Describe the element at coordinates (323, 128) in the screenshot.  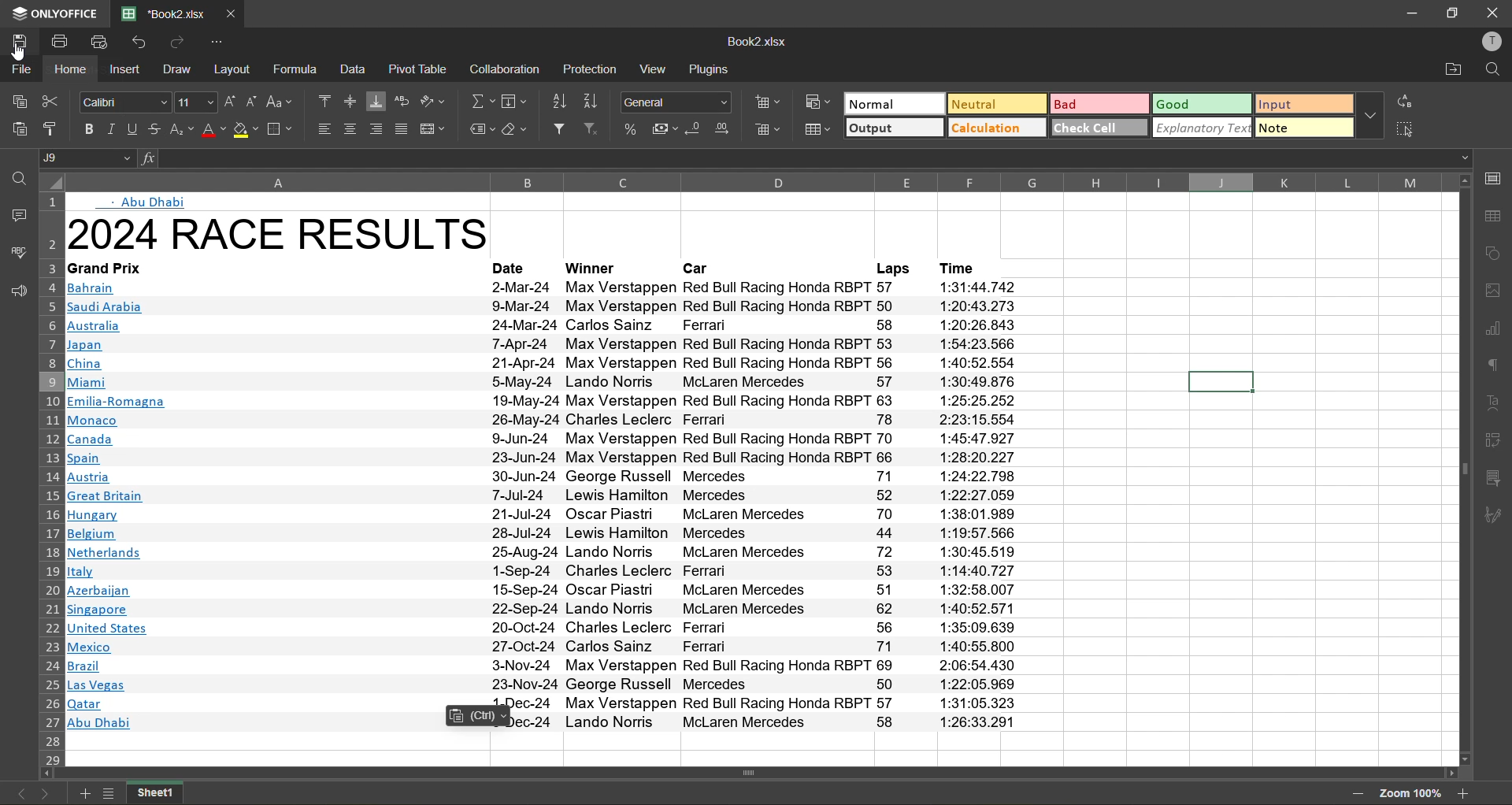
I see `align left` at that location.